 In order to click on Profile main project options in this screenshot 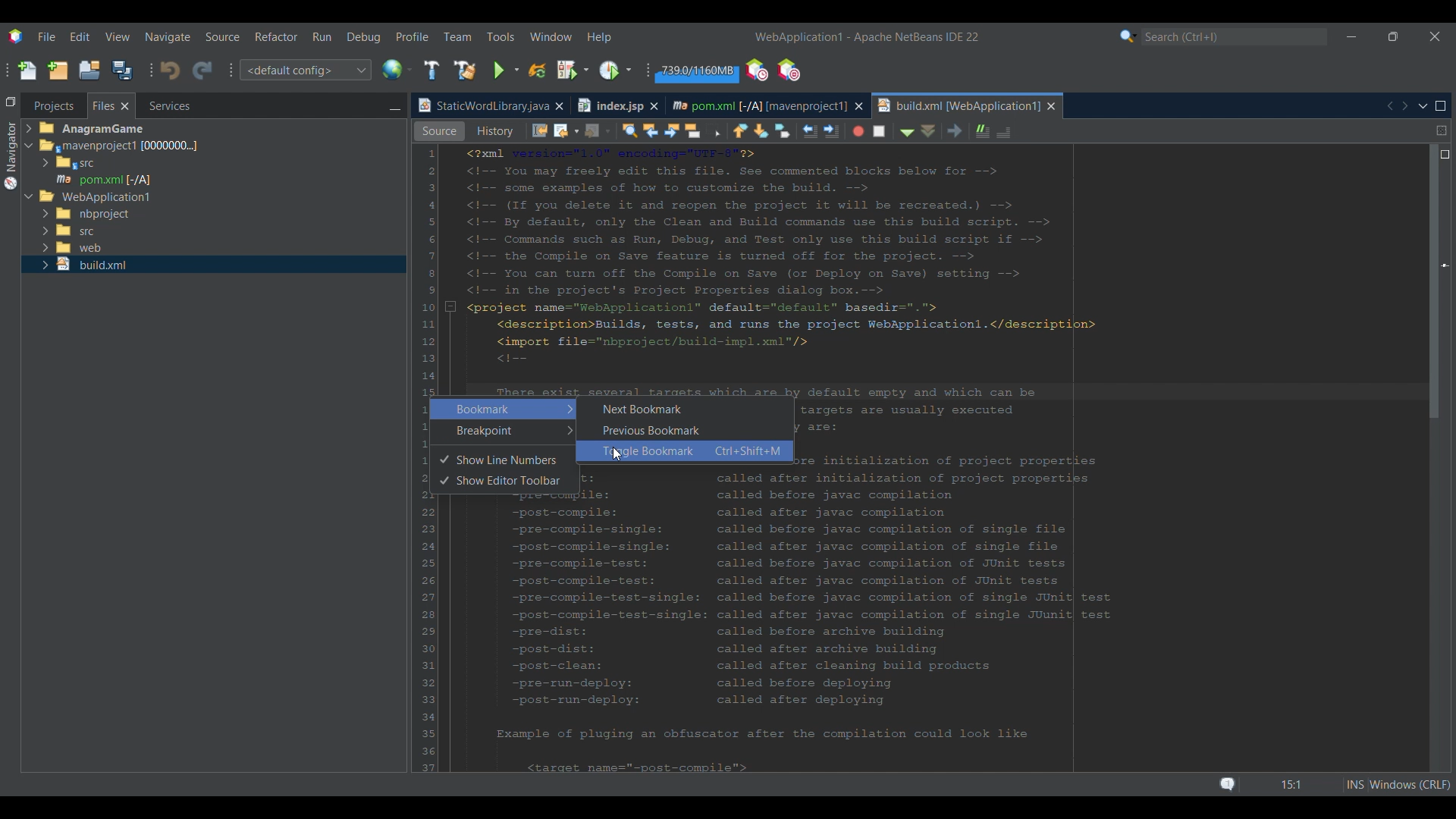, I will do `click(617, 70)`.